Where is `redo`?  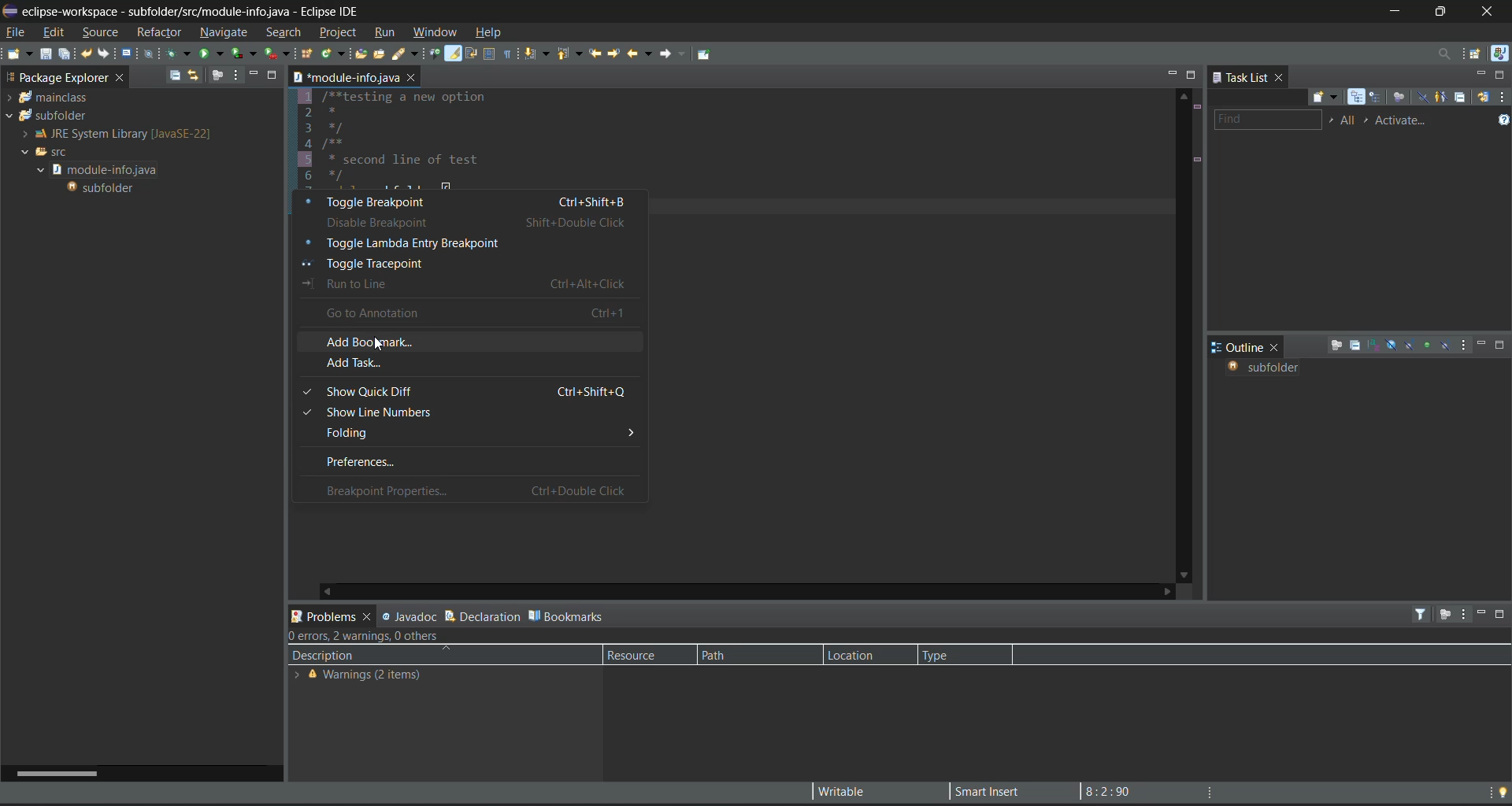
redo is located at coordinates (106, 54).